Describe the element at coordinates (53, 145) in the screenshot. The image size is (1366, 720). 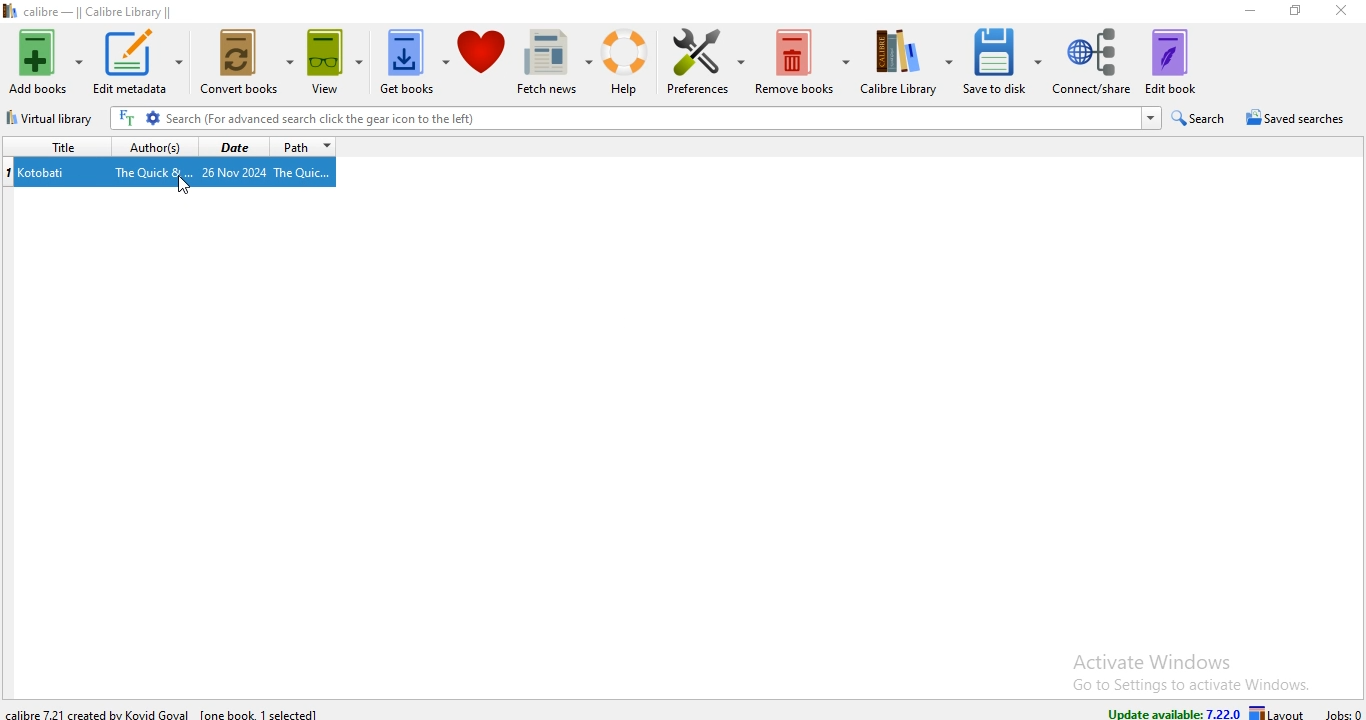
I see `title` at that location.